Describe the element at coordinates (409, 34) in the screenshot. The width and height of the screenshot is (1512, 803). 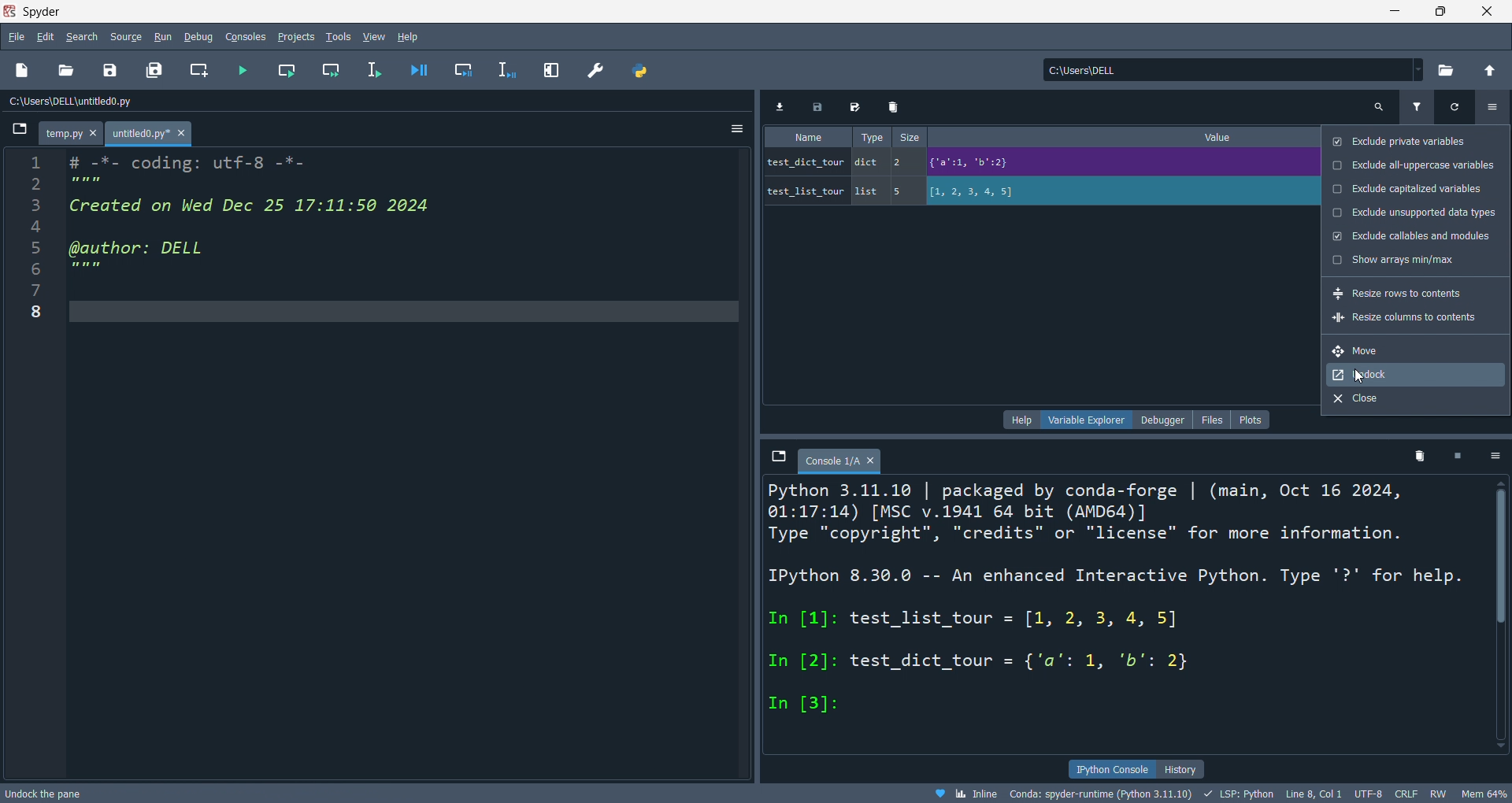
I see `hlep` at that location.